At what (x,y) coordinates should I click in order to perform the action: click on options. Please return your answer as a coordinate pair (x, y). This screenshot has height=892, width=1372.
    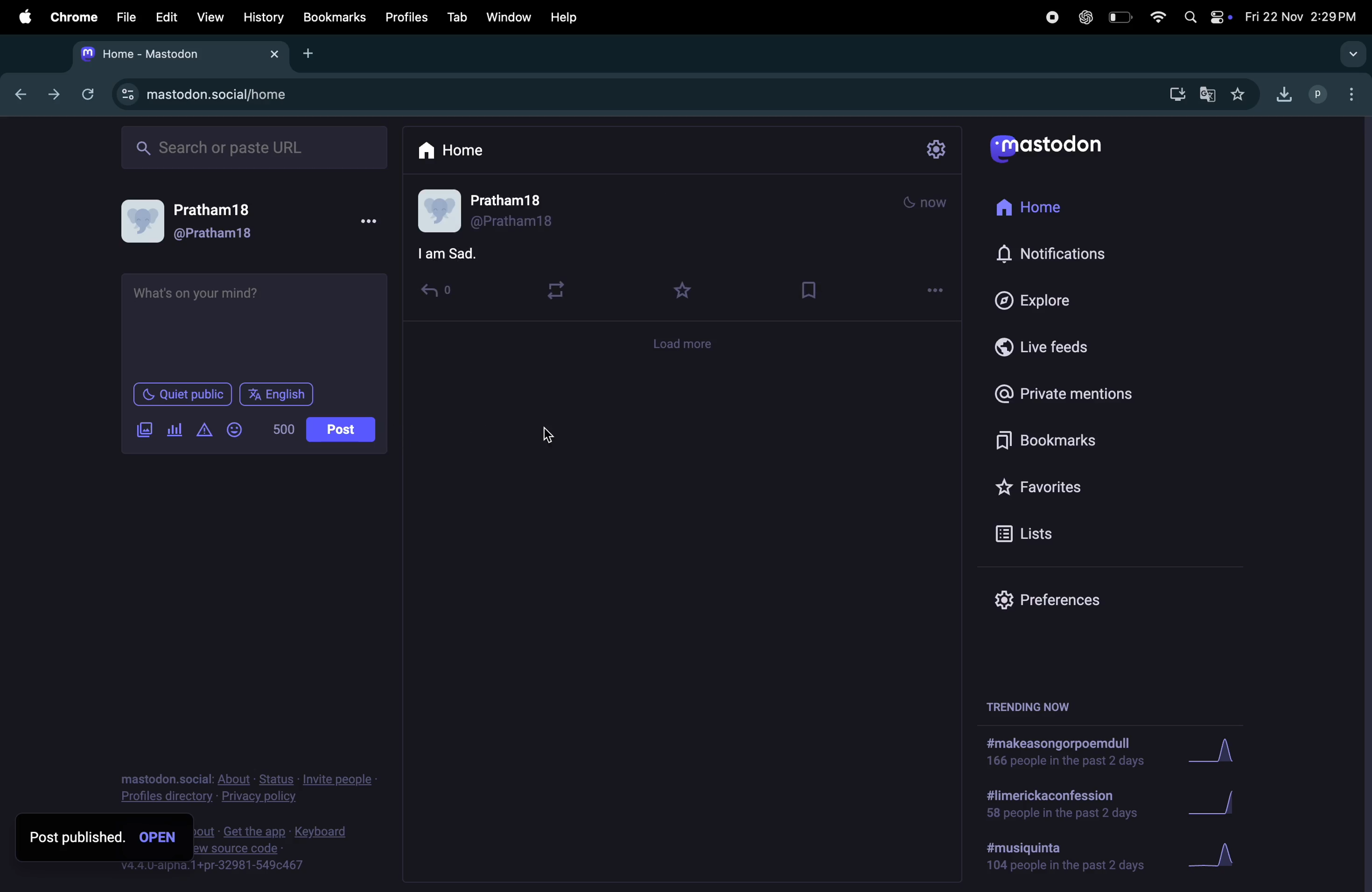
    Looking at the image, I should click on (933, 292).